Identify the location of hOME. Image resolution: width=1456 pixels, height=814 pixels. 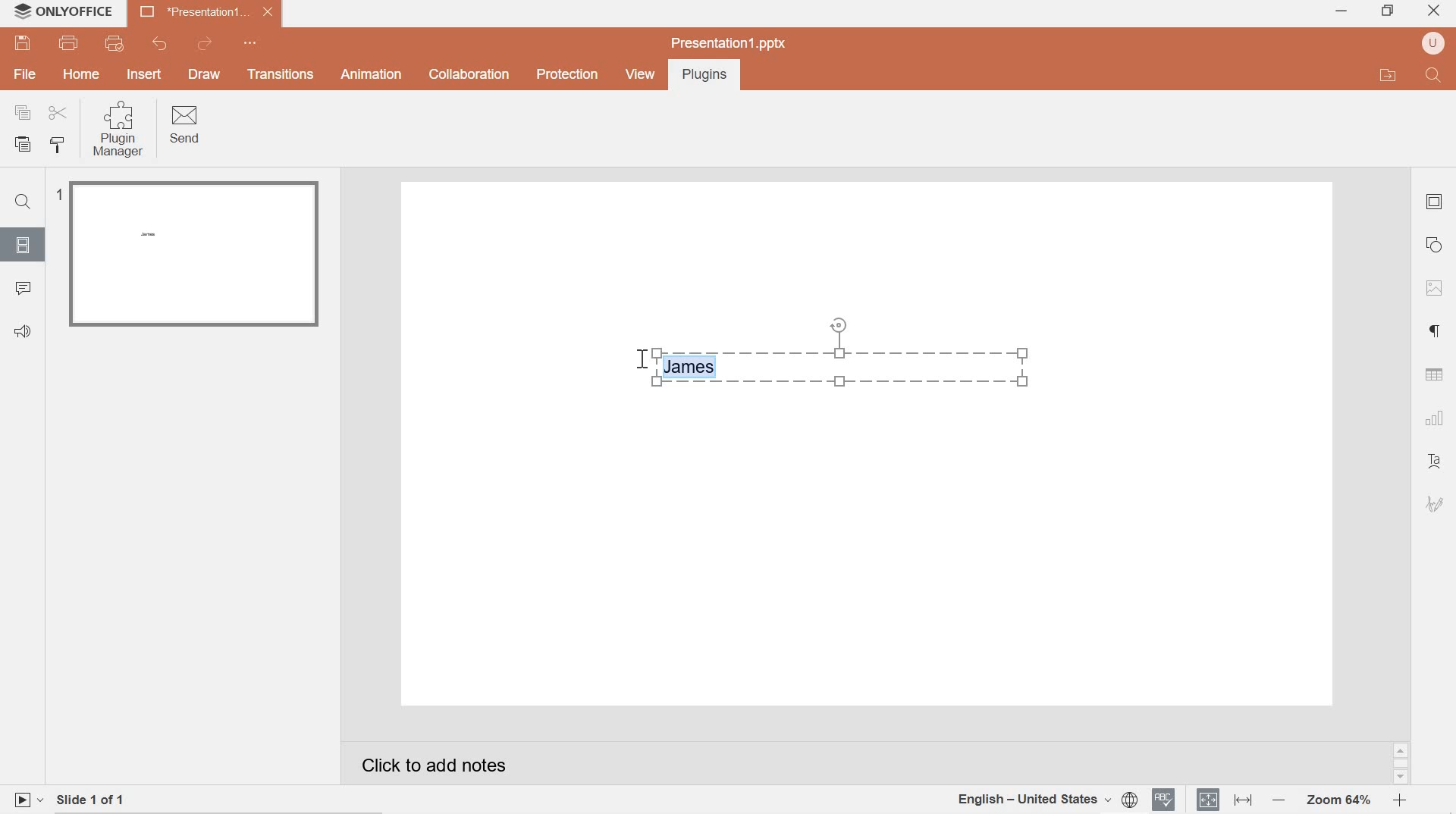
(82, 76).